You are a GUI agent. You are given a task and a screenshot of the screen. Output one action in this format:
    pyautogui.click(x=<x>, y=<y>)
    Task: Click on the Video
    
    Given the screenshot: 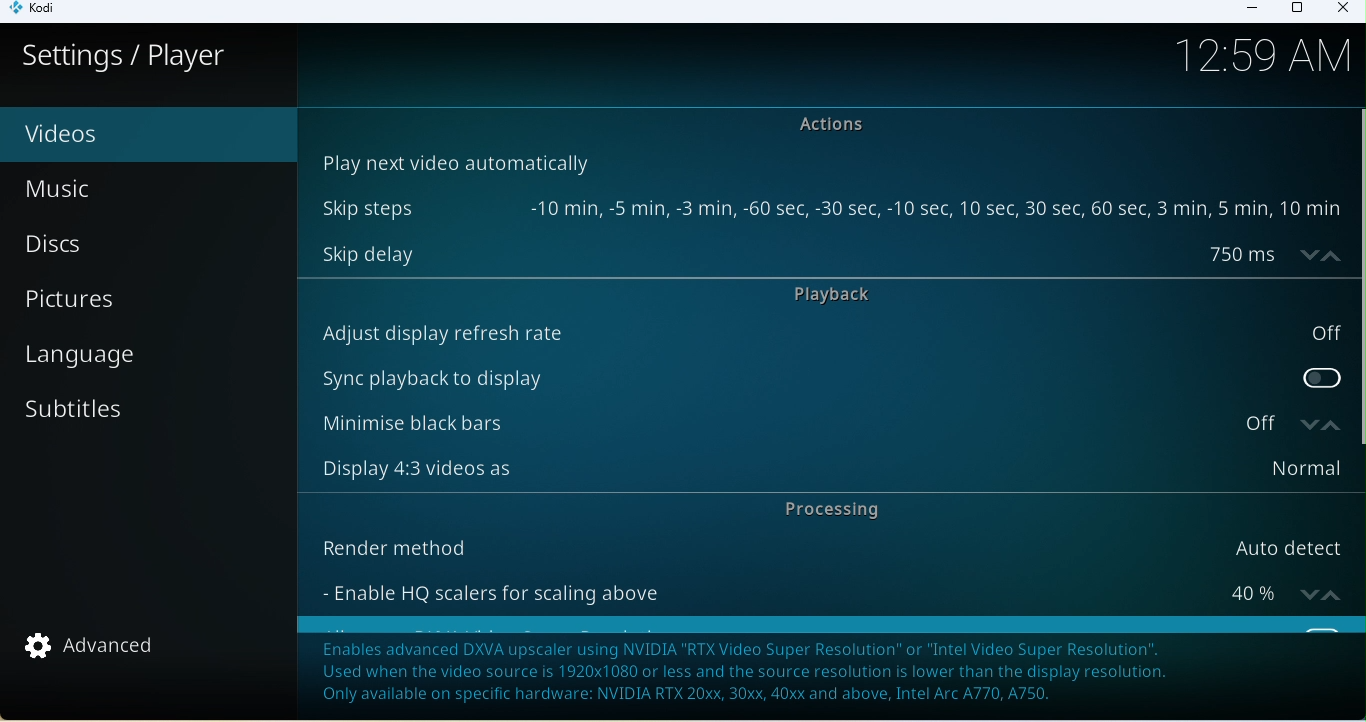 What is the action you would take?
    pyautogui.click(x=115, y=135)
    